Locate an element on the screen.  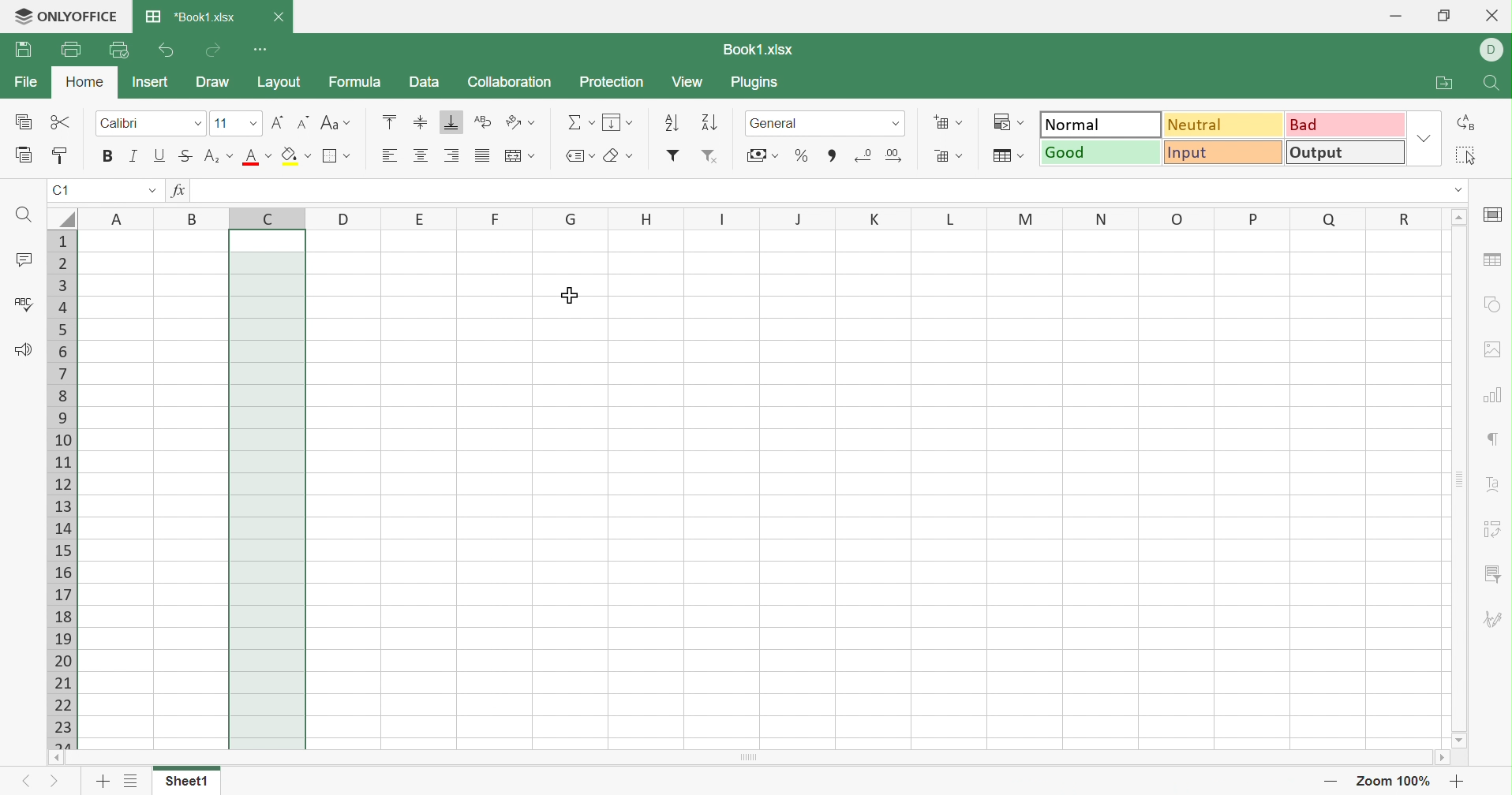
Drop Down is located at coordinates (1460, 189).